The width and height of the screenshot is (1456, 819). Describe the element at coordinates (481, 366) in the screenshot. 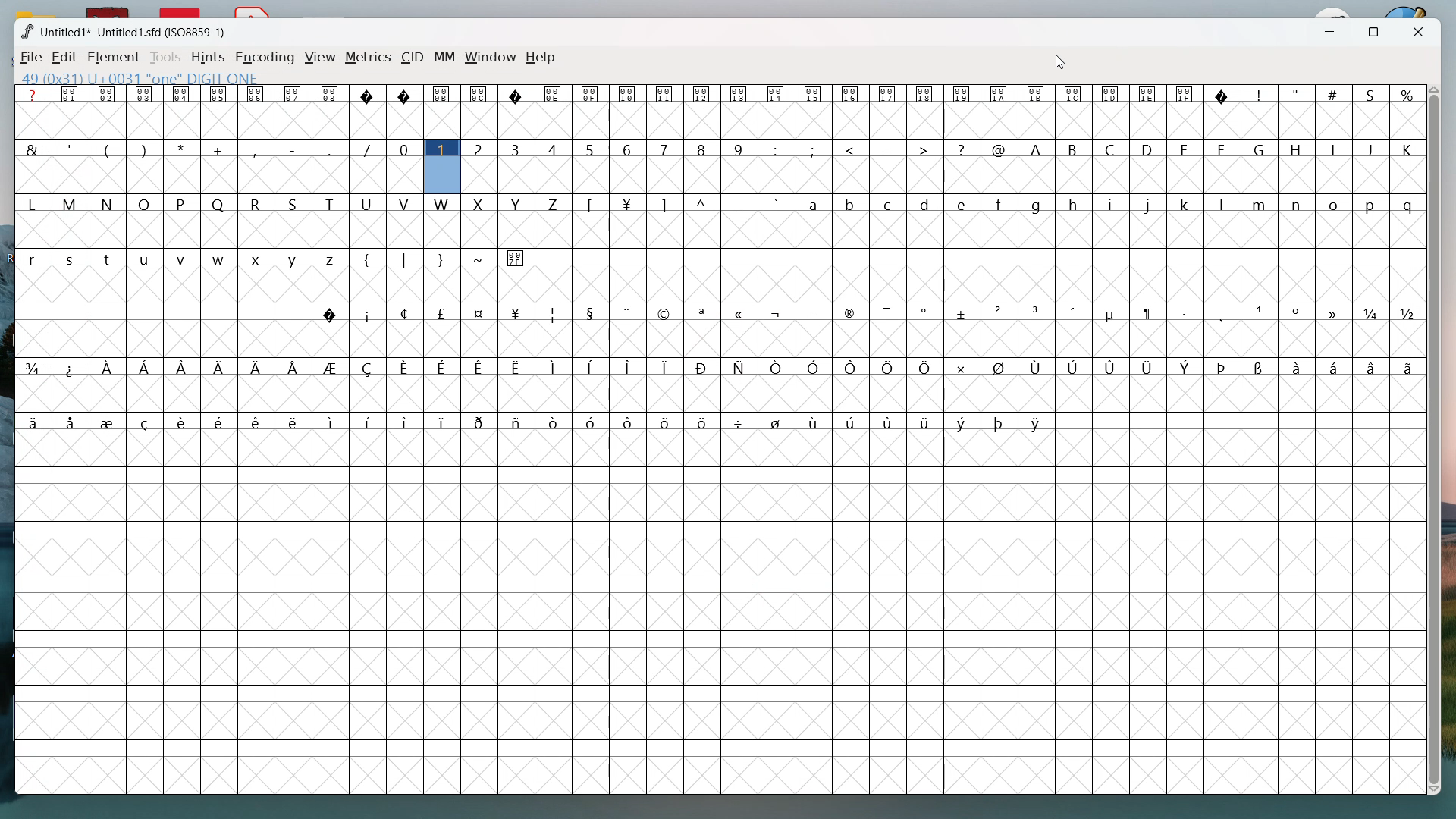

I see `symbol` at that location.